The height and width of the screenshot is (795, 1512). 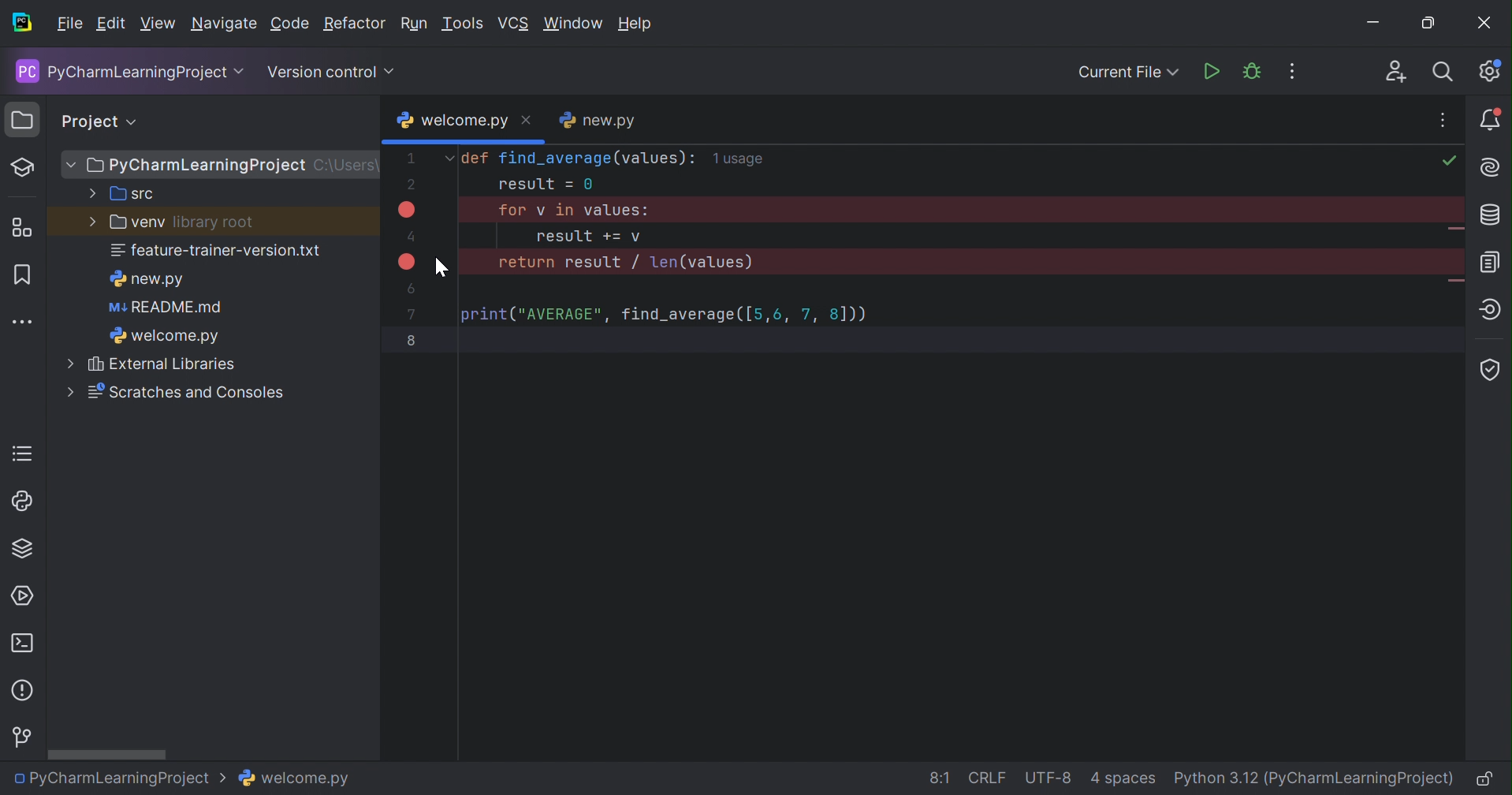 What do you see at coordinates (415, 24) in the screenshot?
I see `Run` at bounding box center [415, 24].